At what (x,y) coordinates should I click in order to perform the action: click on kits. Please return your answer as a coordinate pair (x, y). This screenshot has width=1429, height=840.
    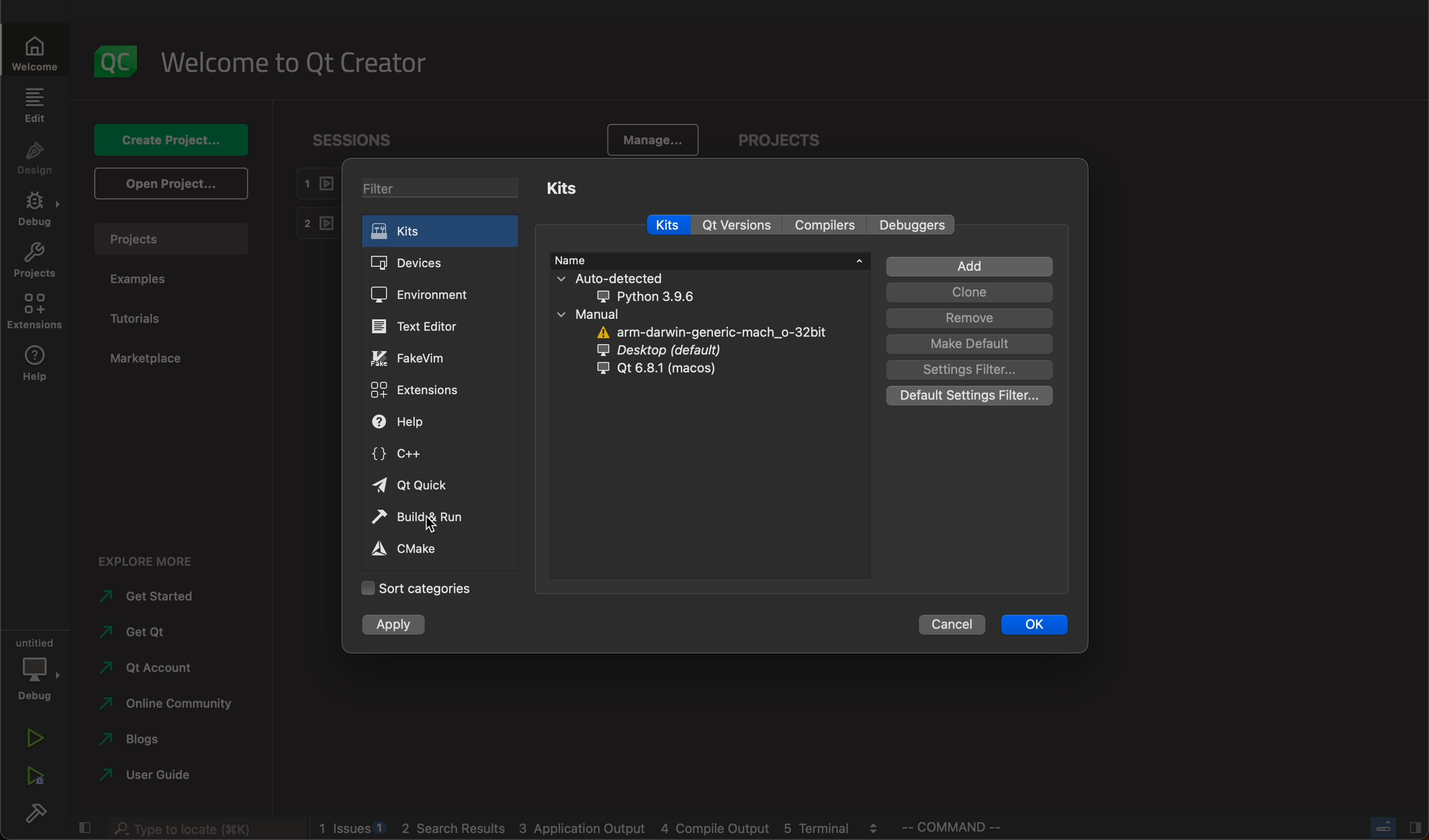
    Looking at the image, I should click on (571, 189).